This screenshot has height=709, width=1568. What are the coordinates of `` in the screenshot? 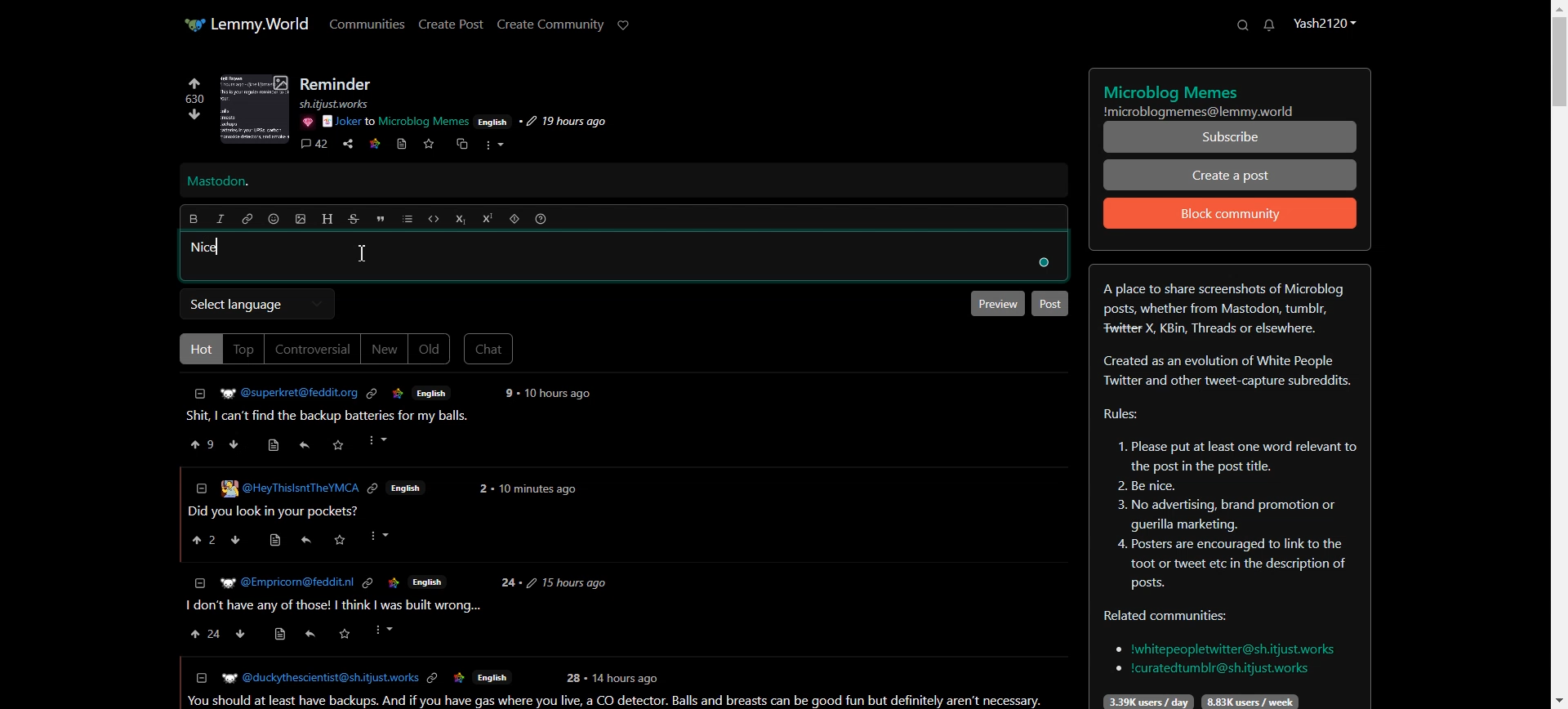 It's located at (628, 677).